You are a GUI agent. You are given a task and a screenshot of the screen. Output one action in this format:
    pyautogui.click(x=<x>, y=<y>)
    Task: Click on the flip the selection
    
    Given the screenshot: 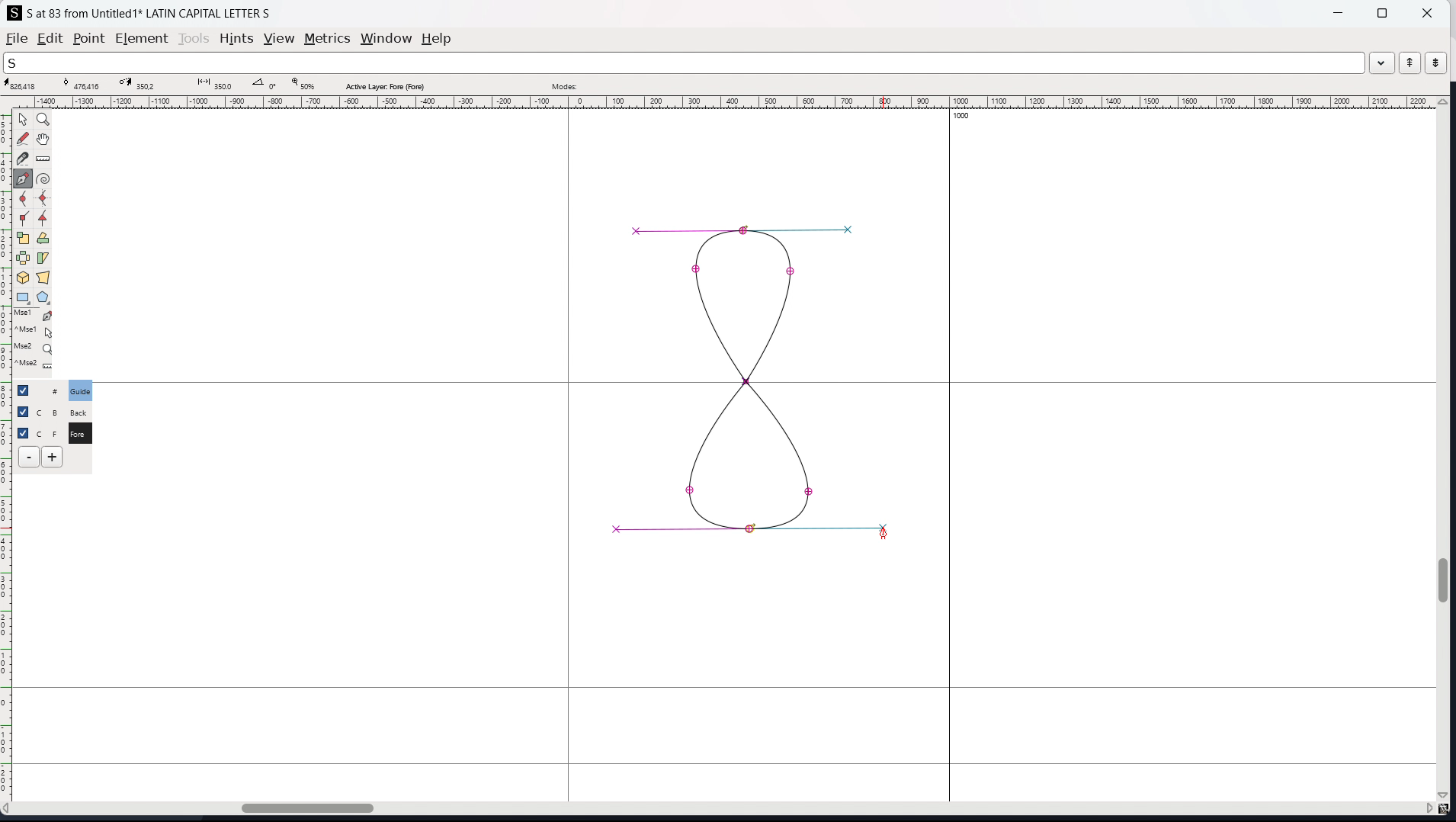 What is the action you would take?
    pyautogui.click(x=23, y=258)
    